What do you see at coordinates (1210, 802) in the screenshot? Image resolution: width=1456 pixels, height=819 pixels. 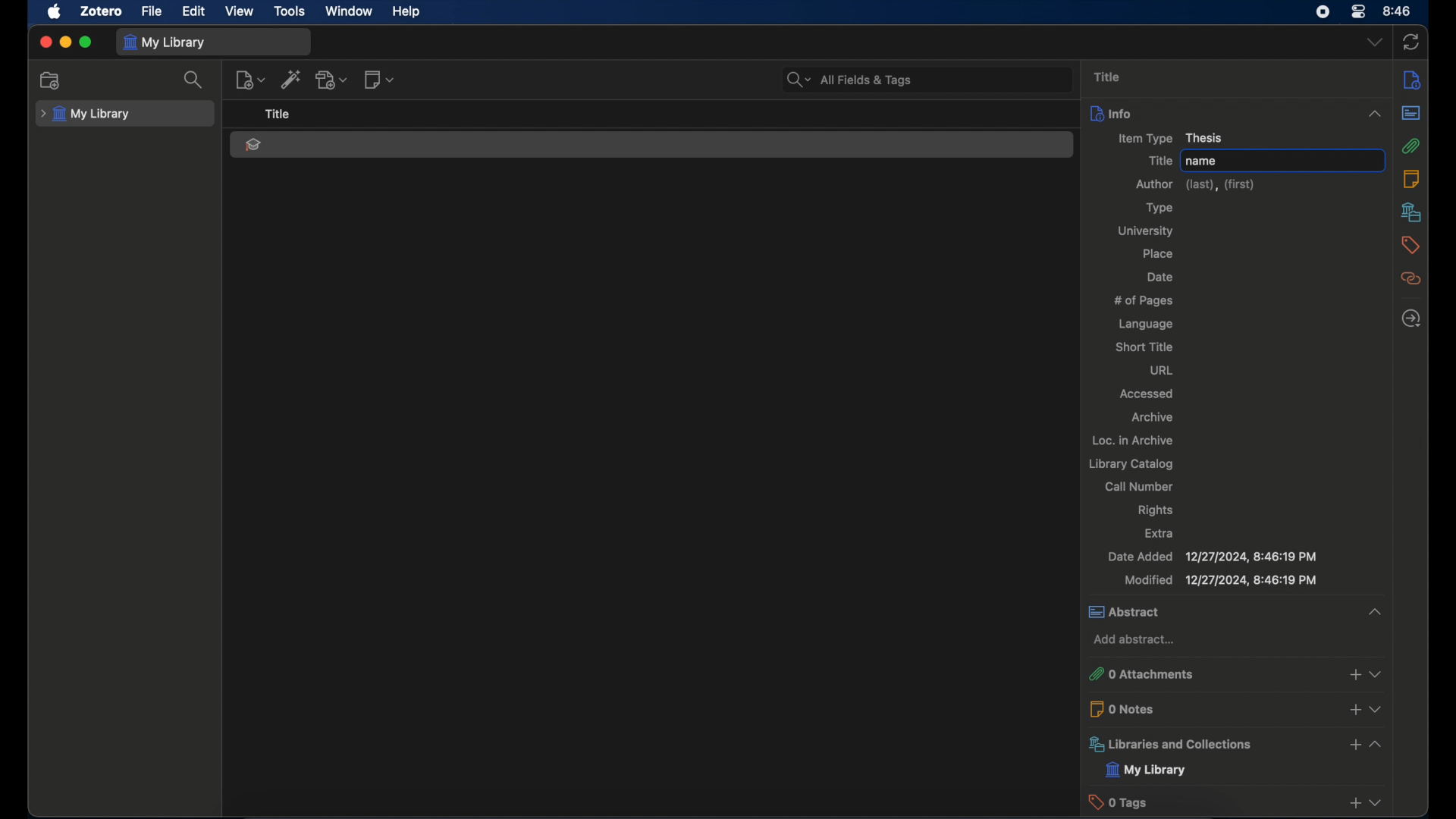 I see `0 tags` at bounding box center [1210, 802].